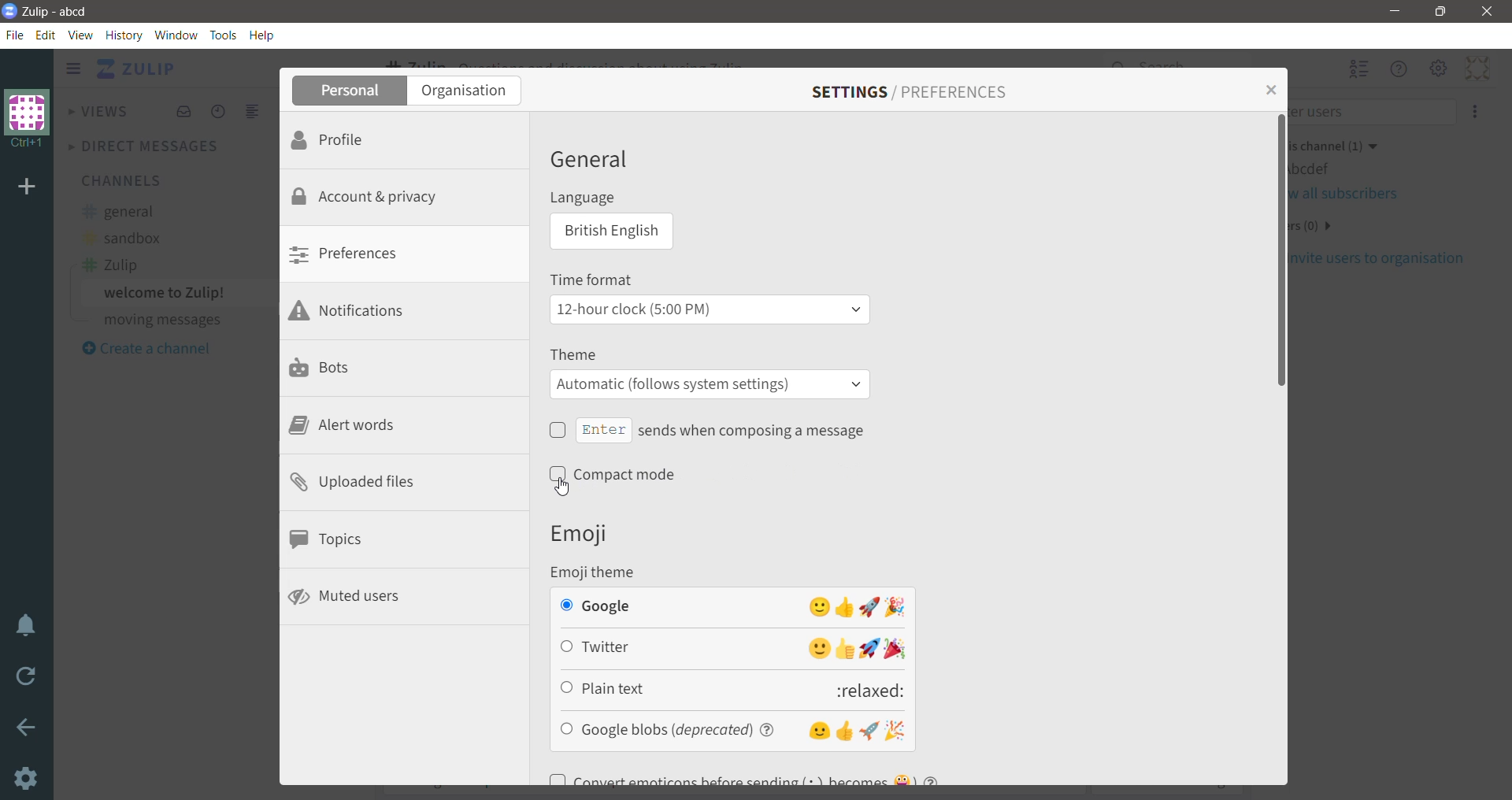  Describe the element at coordinates (81, 35) in the screenshot. I see `View` at that location.